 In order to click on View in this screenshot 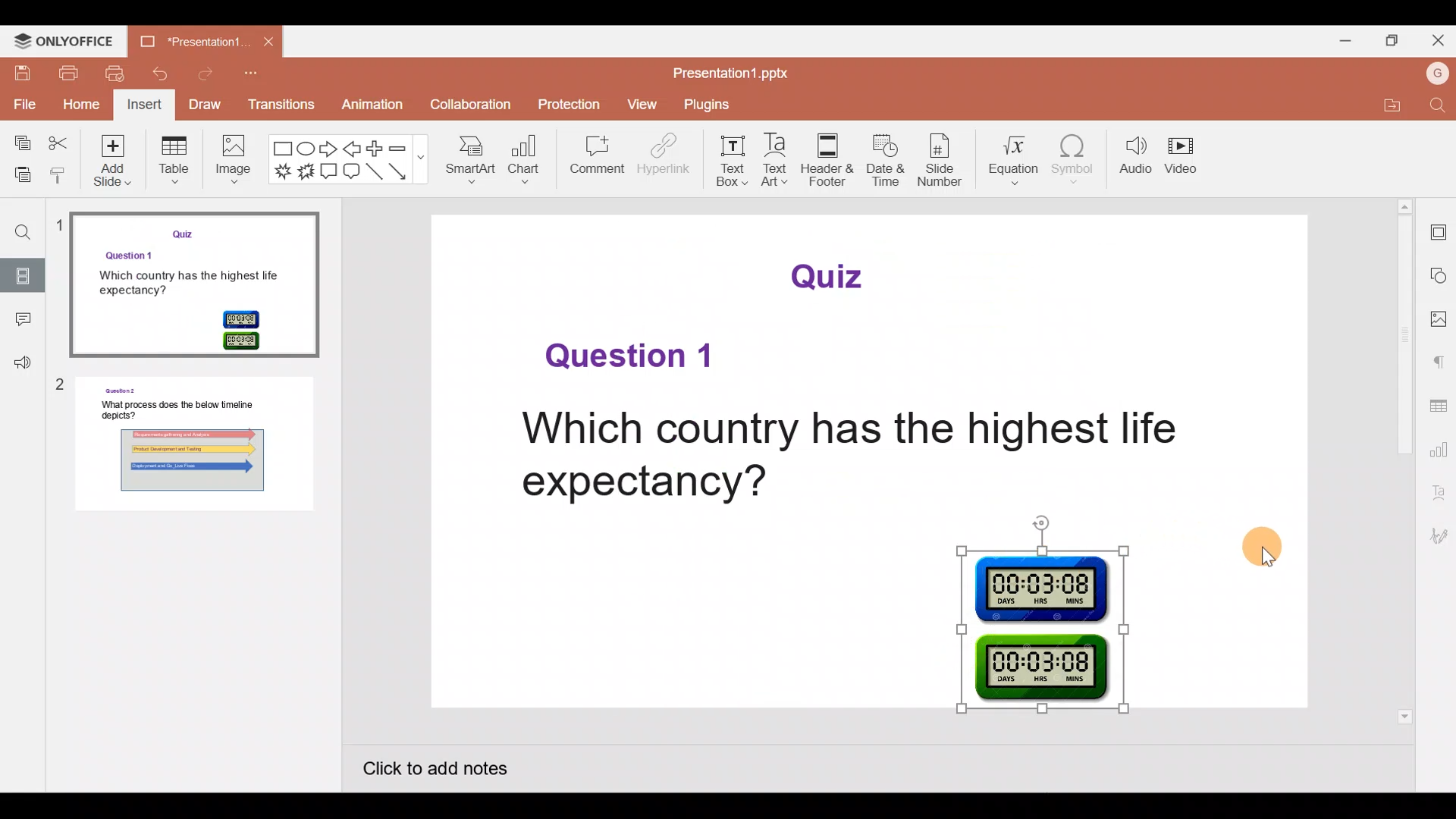, I will do `click(642, 106)`.